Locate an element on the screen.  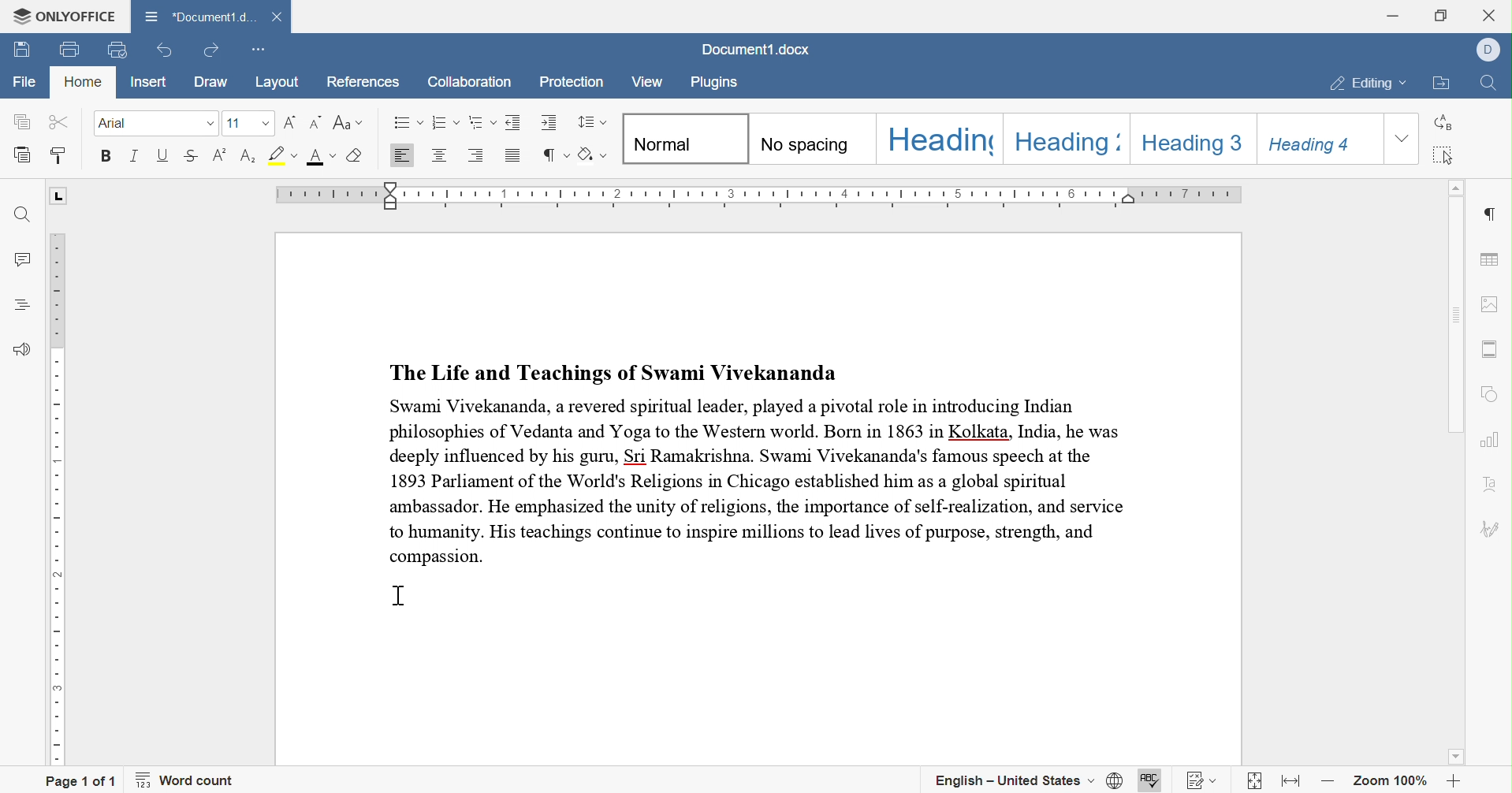
no spacing is located at coordinates (810, 139).